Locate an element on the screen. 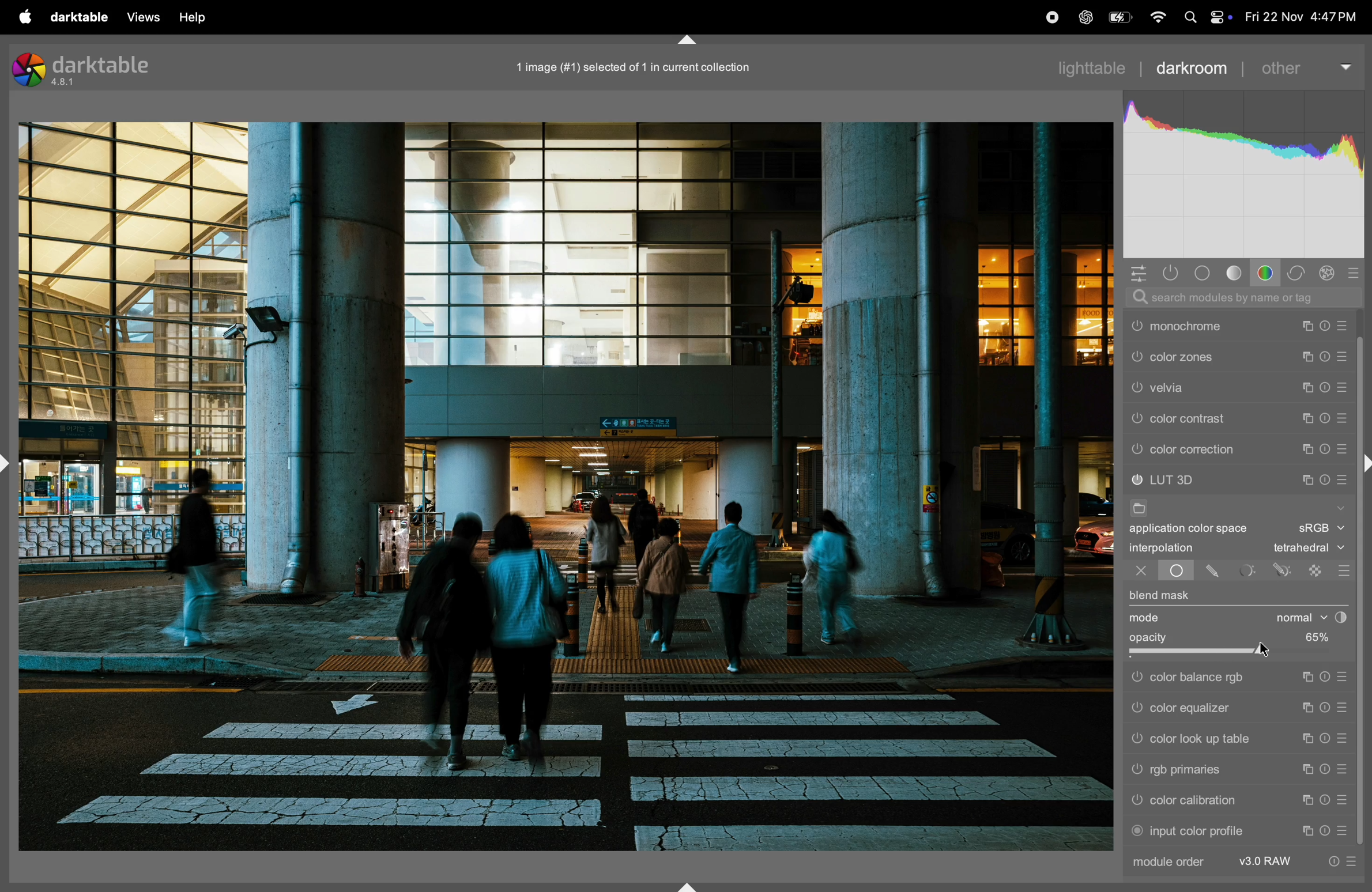 The height and width of the screenshot is (892, 1372). file is located at coordinates (1143, 508).